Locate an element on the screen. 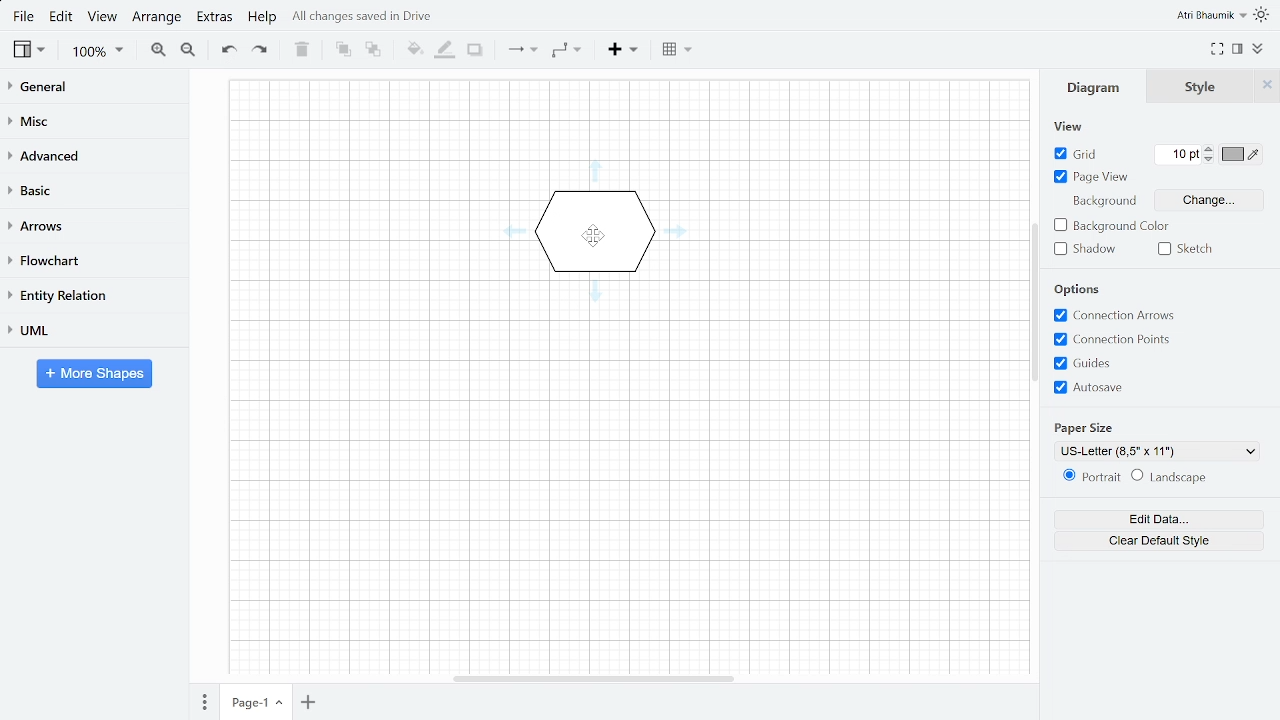 This screenshot has width=1280, height=720. More shapes is located at coordinates (94, 374).